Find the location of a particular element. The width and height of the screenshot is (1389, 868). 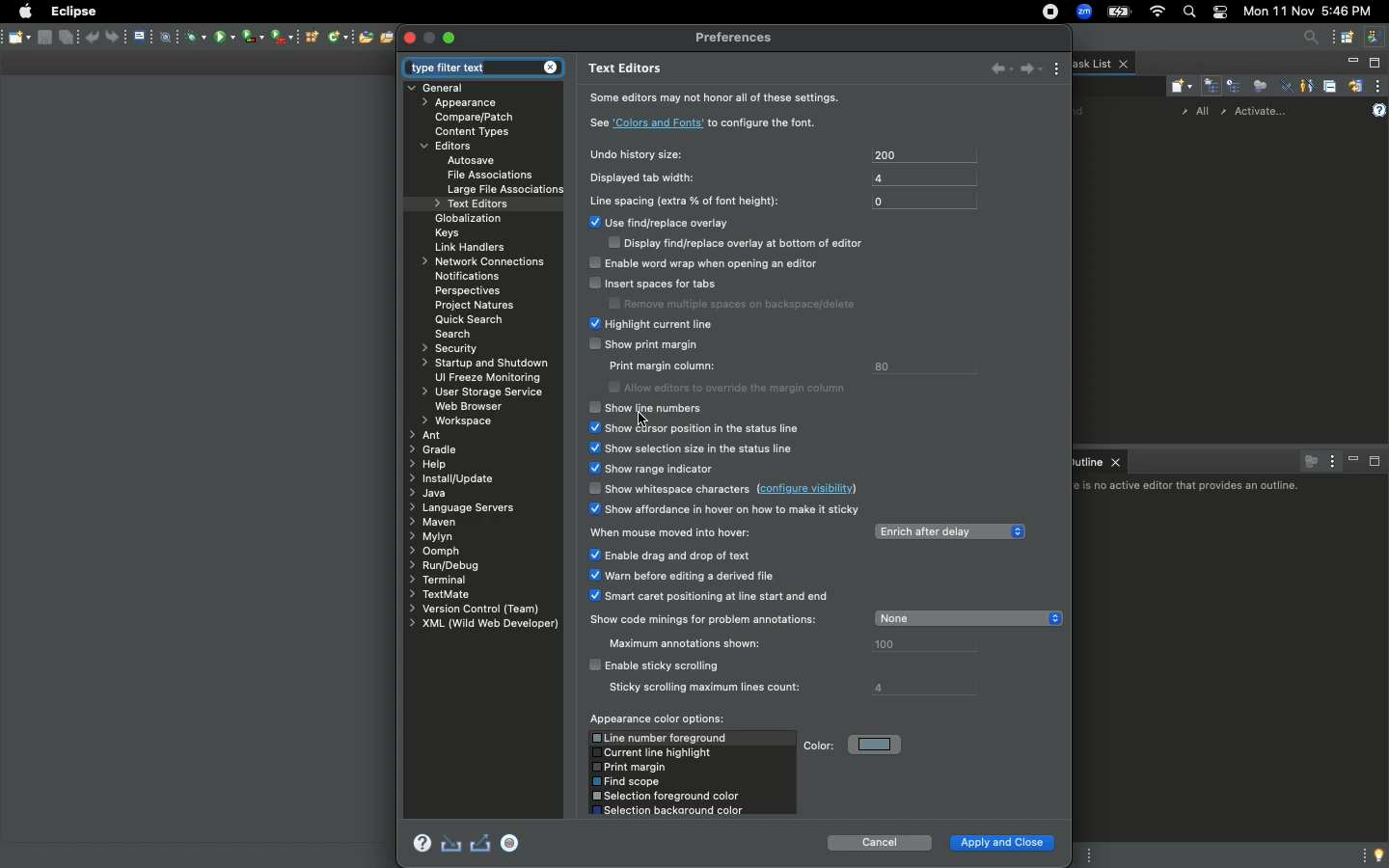

General is located at coordinates (449, 89).